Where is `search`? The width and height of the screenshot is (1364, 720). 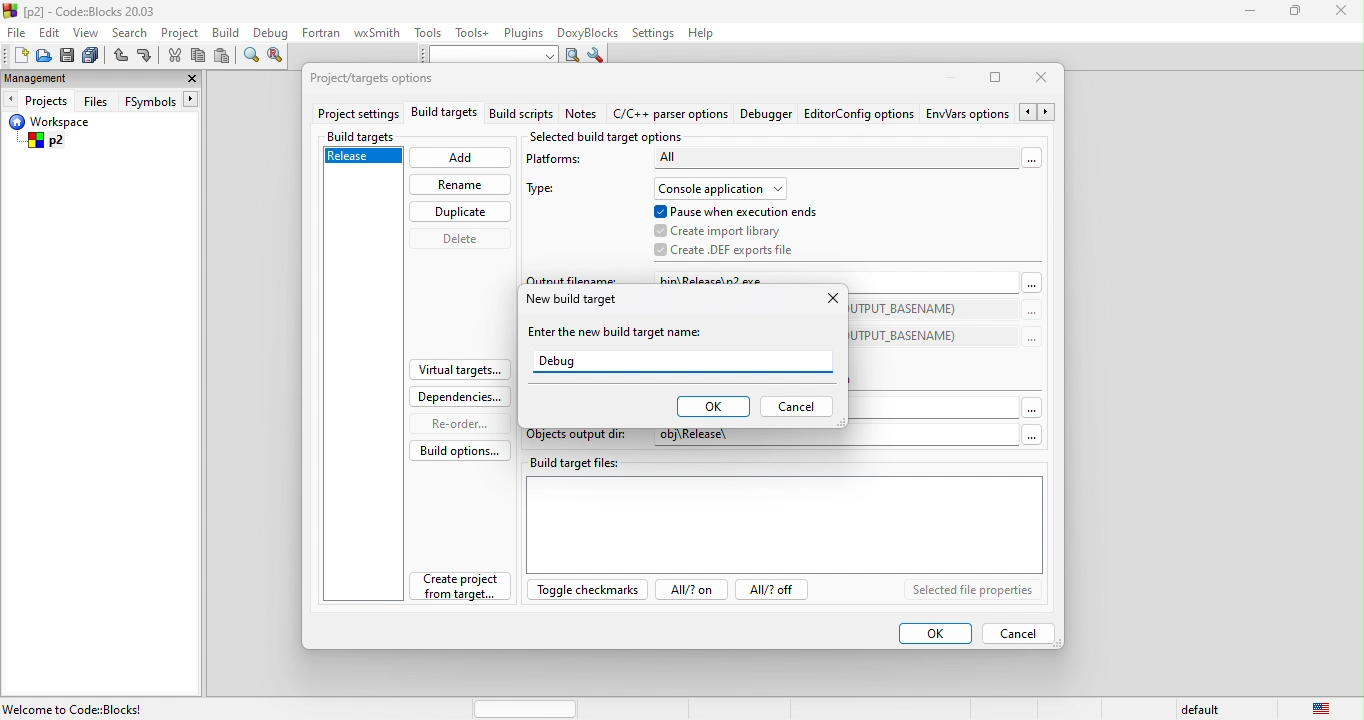 search is located at coordinates (131, 32).